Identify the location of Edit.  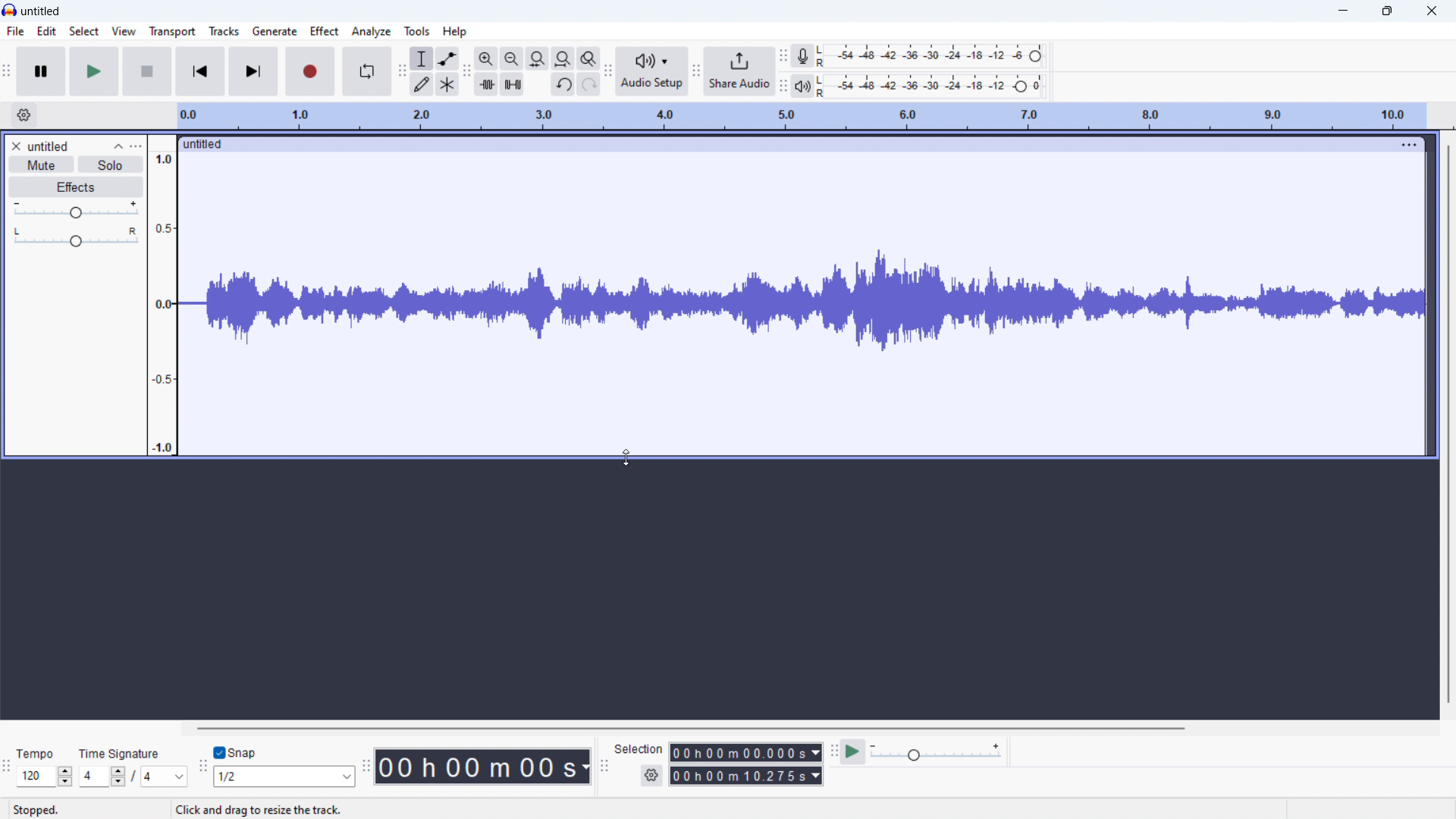
(46, 30).